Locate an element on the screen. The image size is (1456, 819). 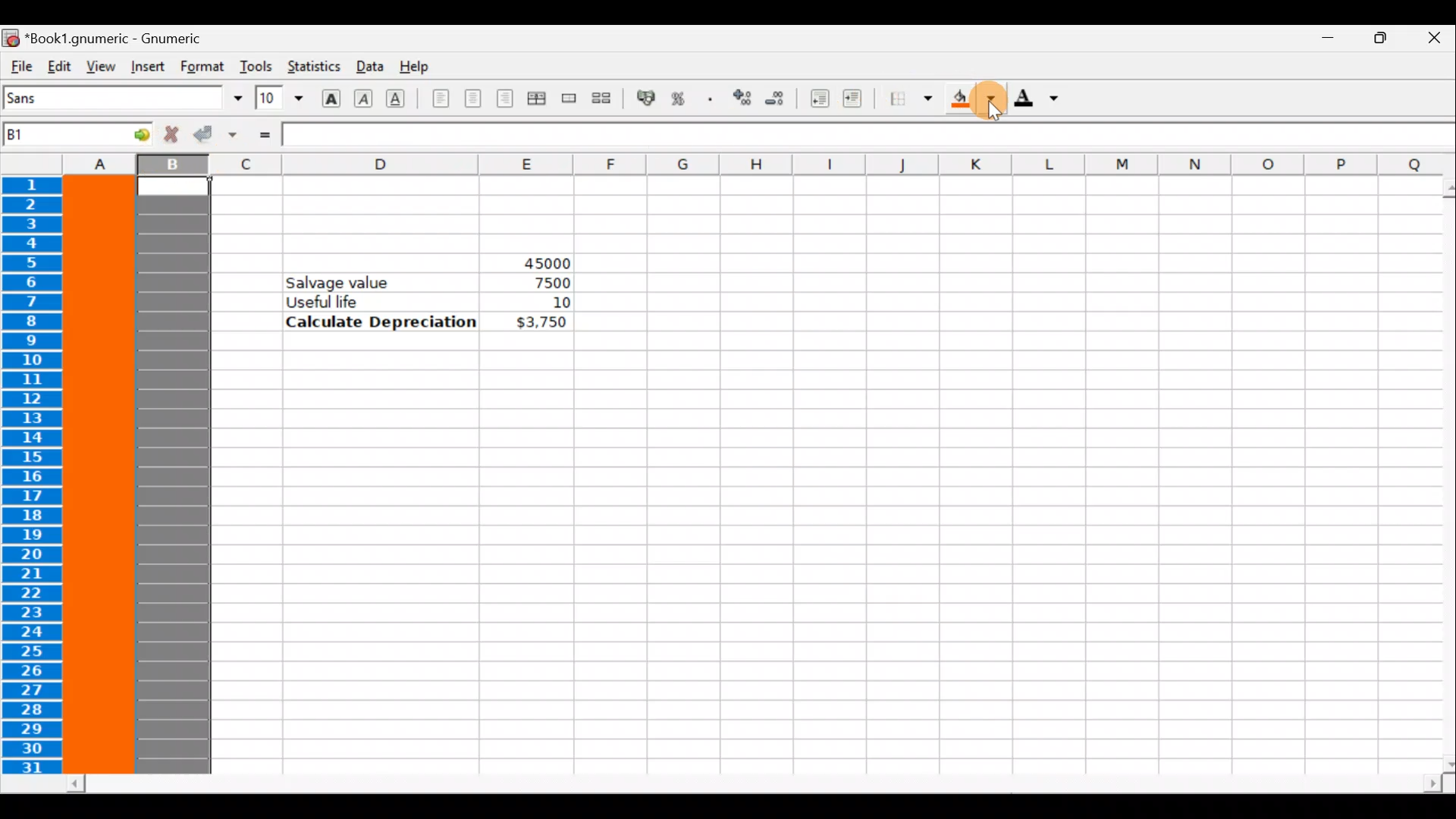
Align right is located at coordinates (504, 99).